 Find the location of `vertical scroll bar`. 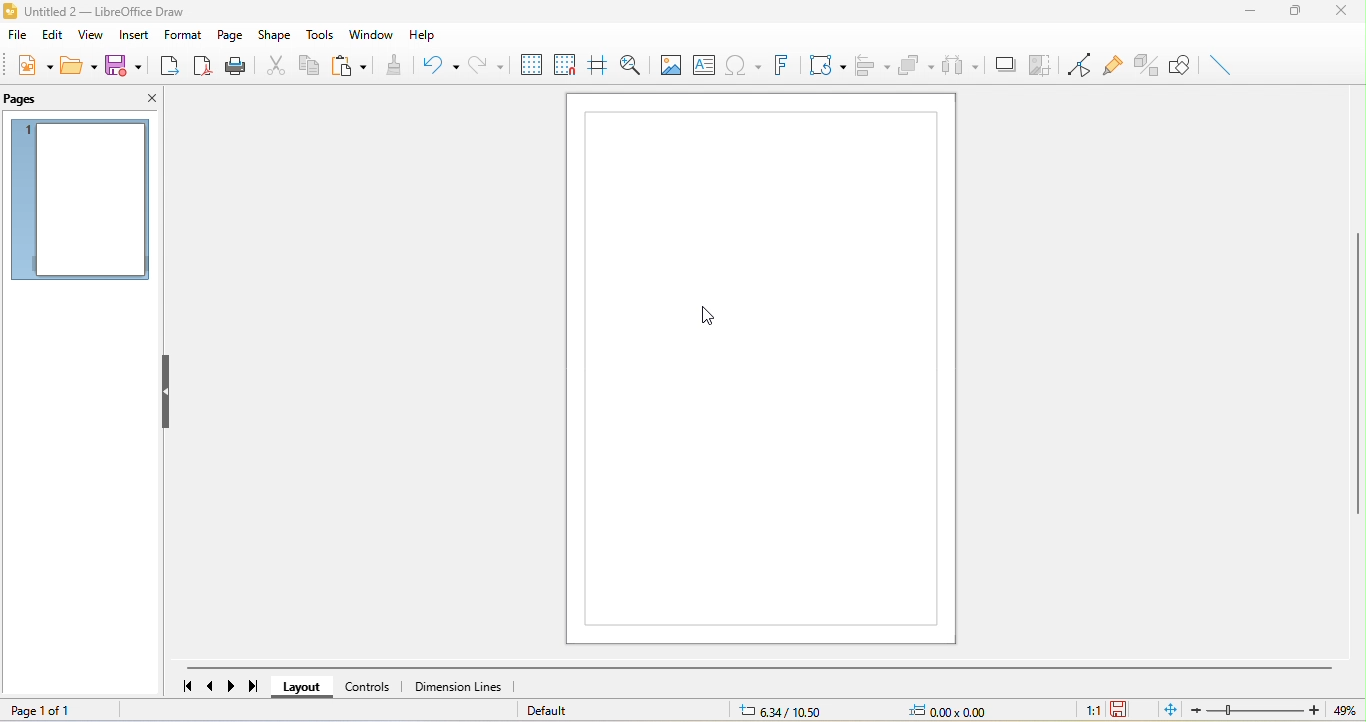

vertical scroll bar is located at coordinates (1357, 375).